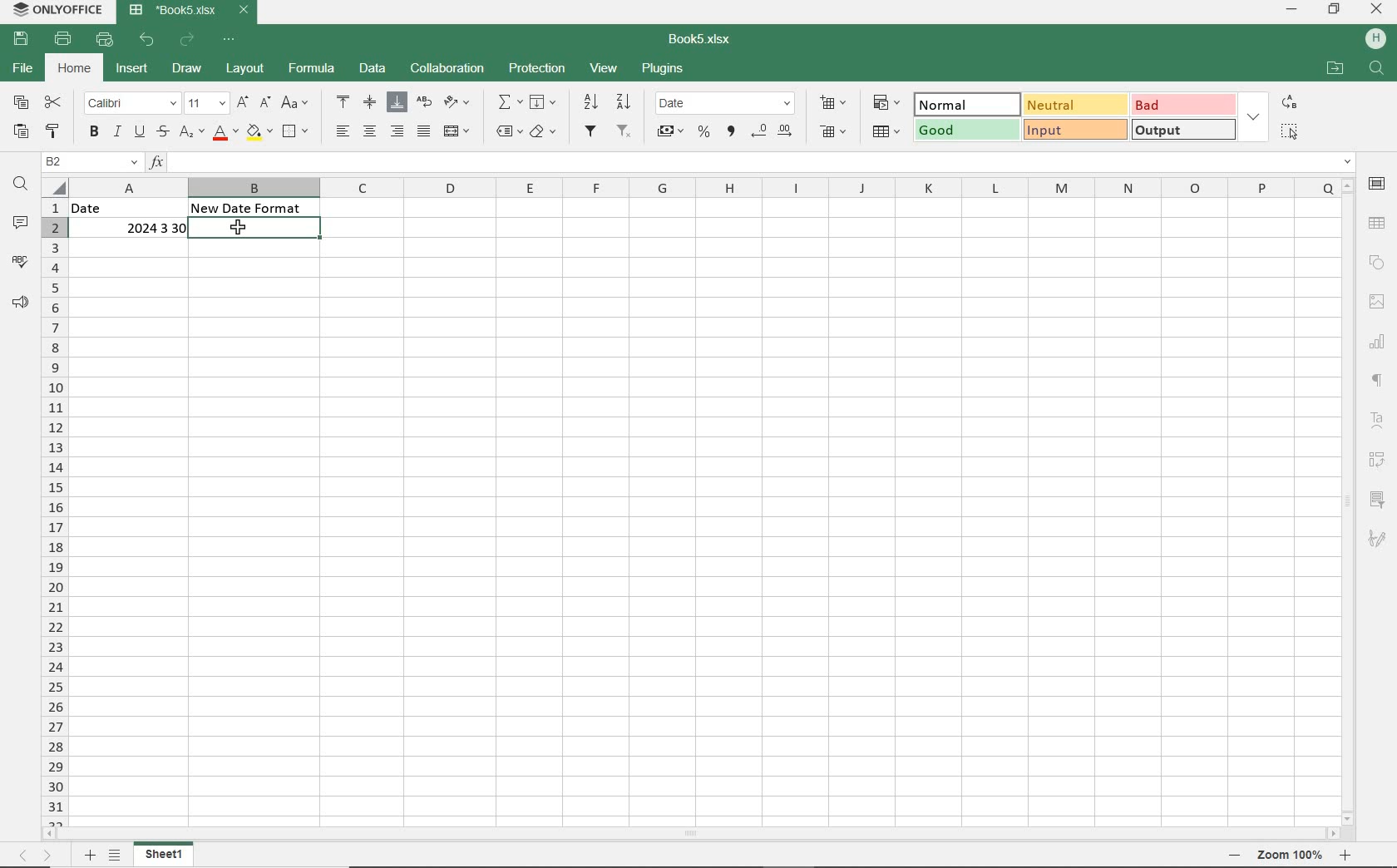  What do you see at coordinates (122, 208) in the screenshot?
I see `Date` at bounding box center [122, 208].